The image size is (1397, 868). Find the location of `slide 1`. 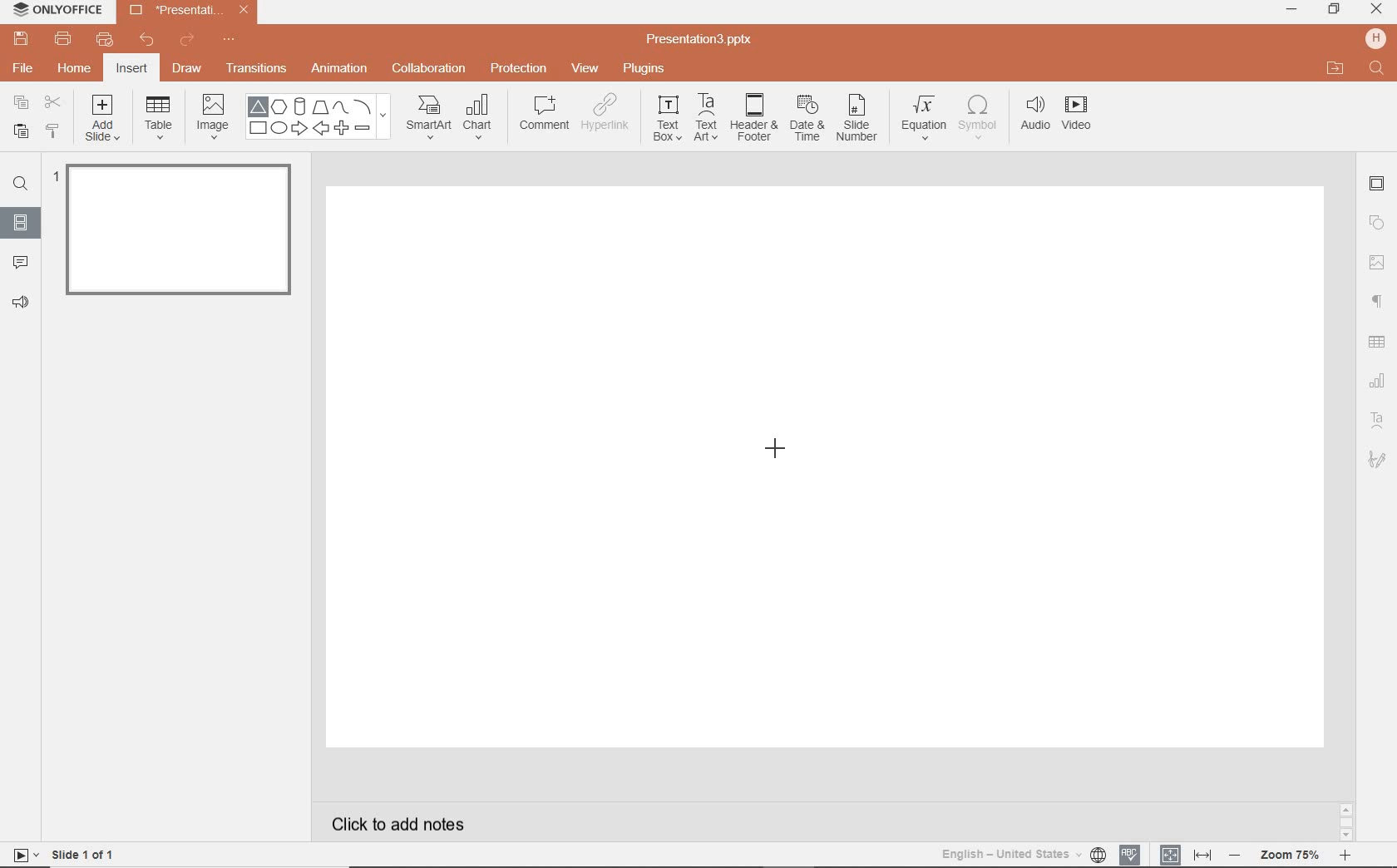

slide 1 is located at coordinates (184, 233).